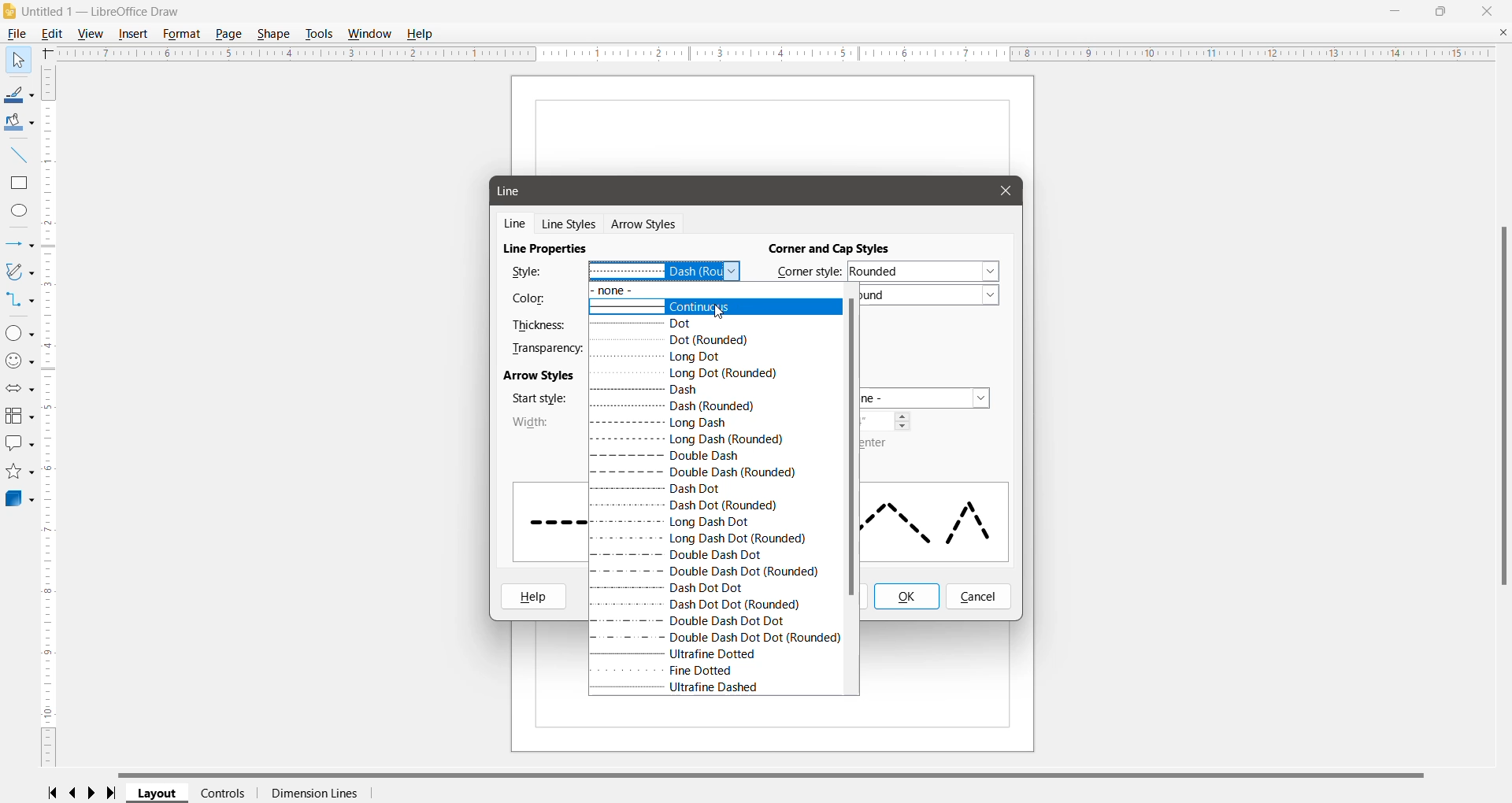 The height and width of the screenshot is (803, 1512). What do you see at coordinates (984, 598) in the screenshot?
I see `cancel` at bounding box center [984, 598].